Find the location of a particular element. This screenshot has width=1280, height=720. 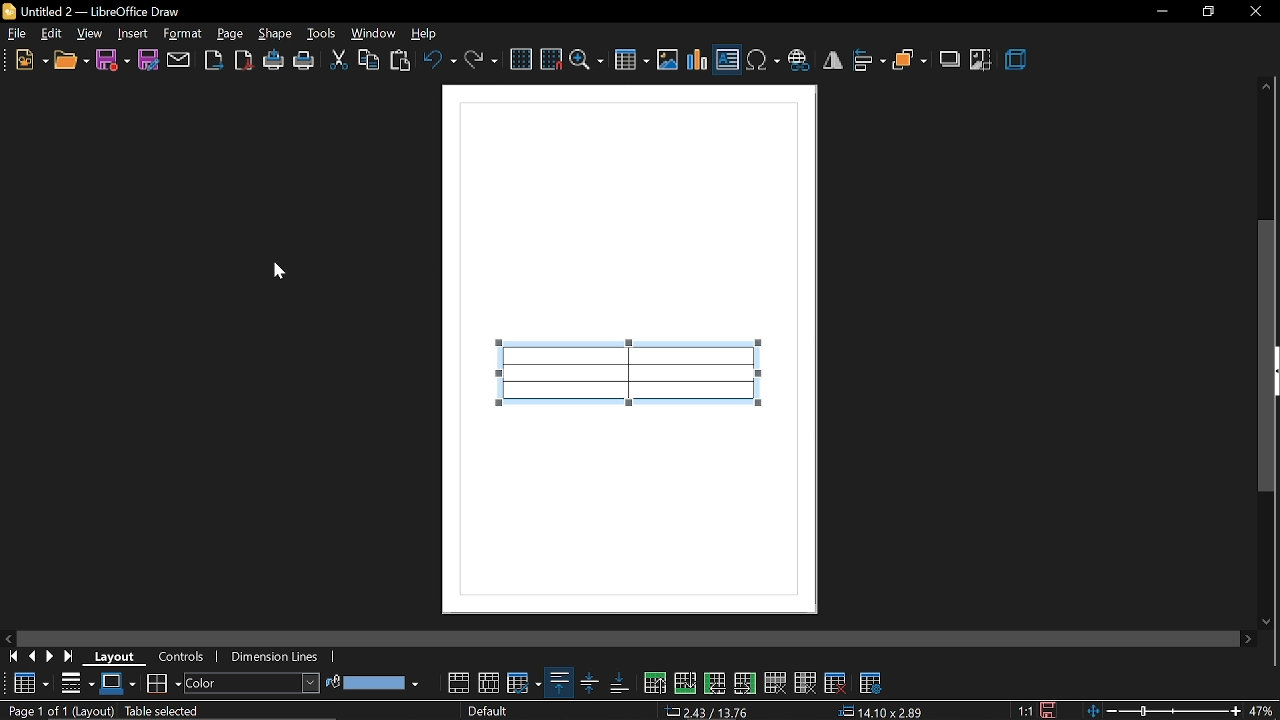

borders is located at coordinates (163, 687).